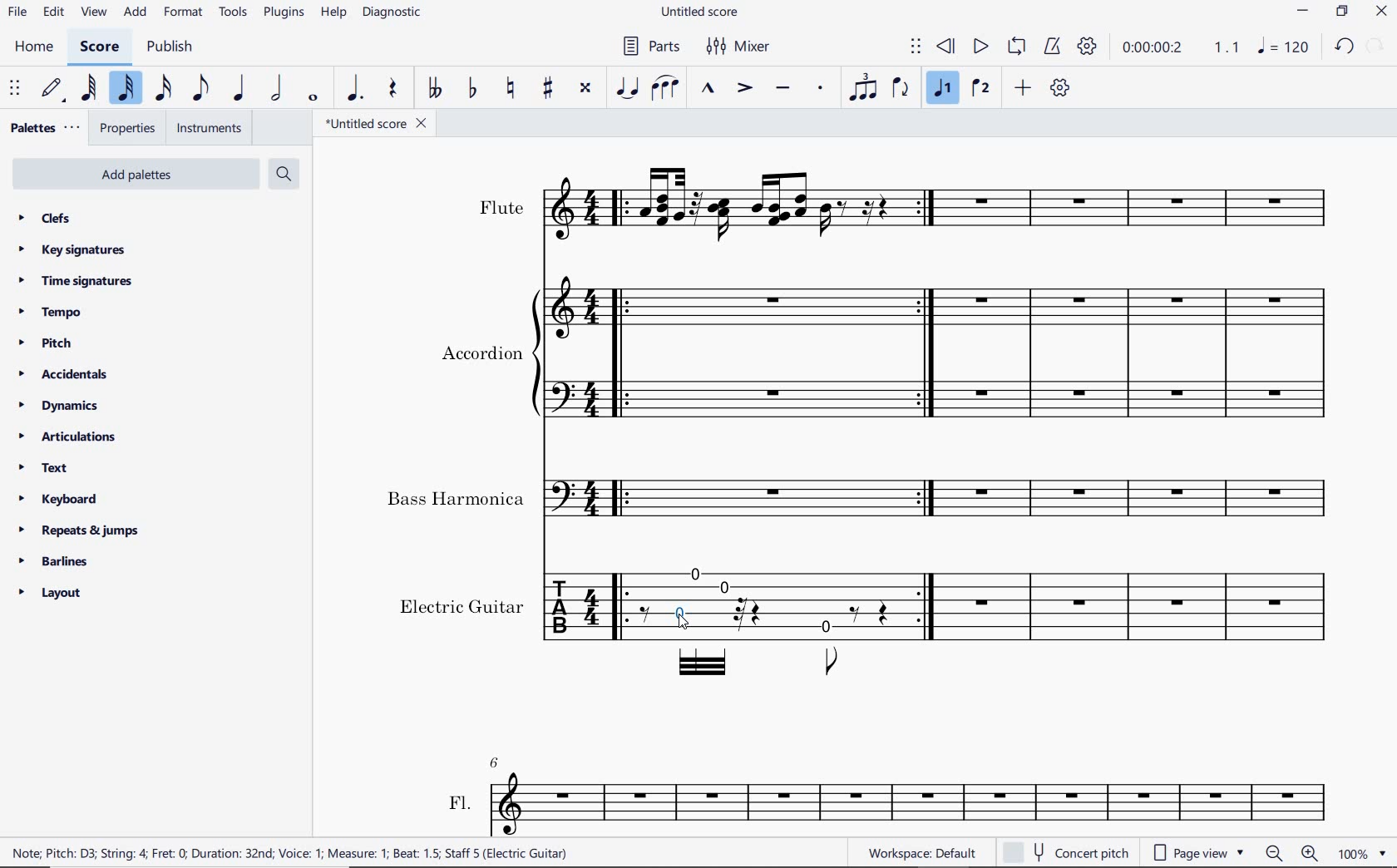  What do you see at coordinates (471, 89) in the screenshot?
I see `toggle flat` at bounding box center [471, 89].